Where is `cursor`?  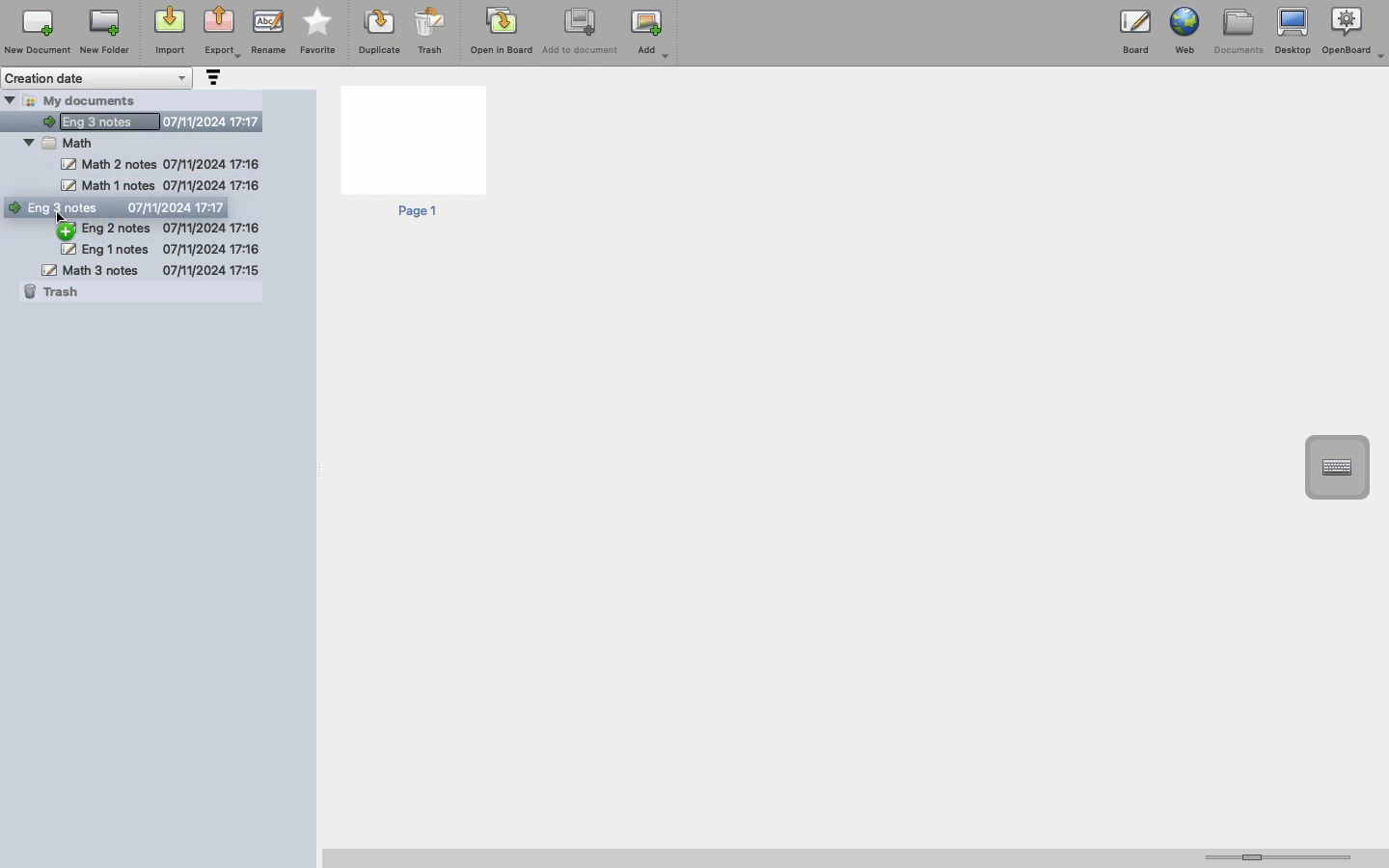 cursor is located at coordinates (65, 218).